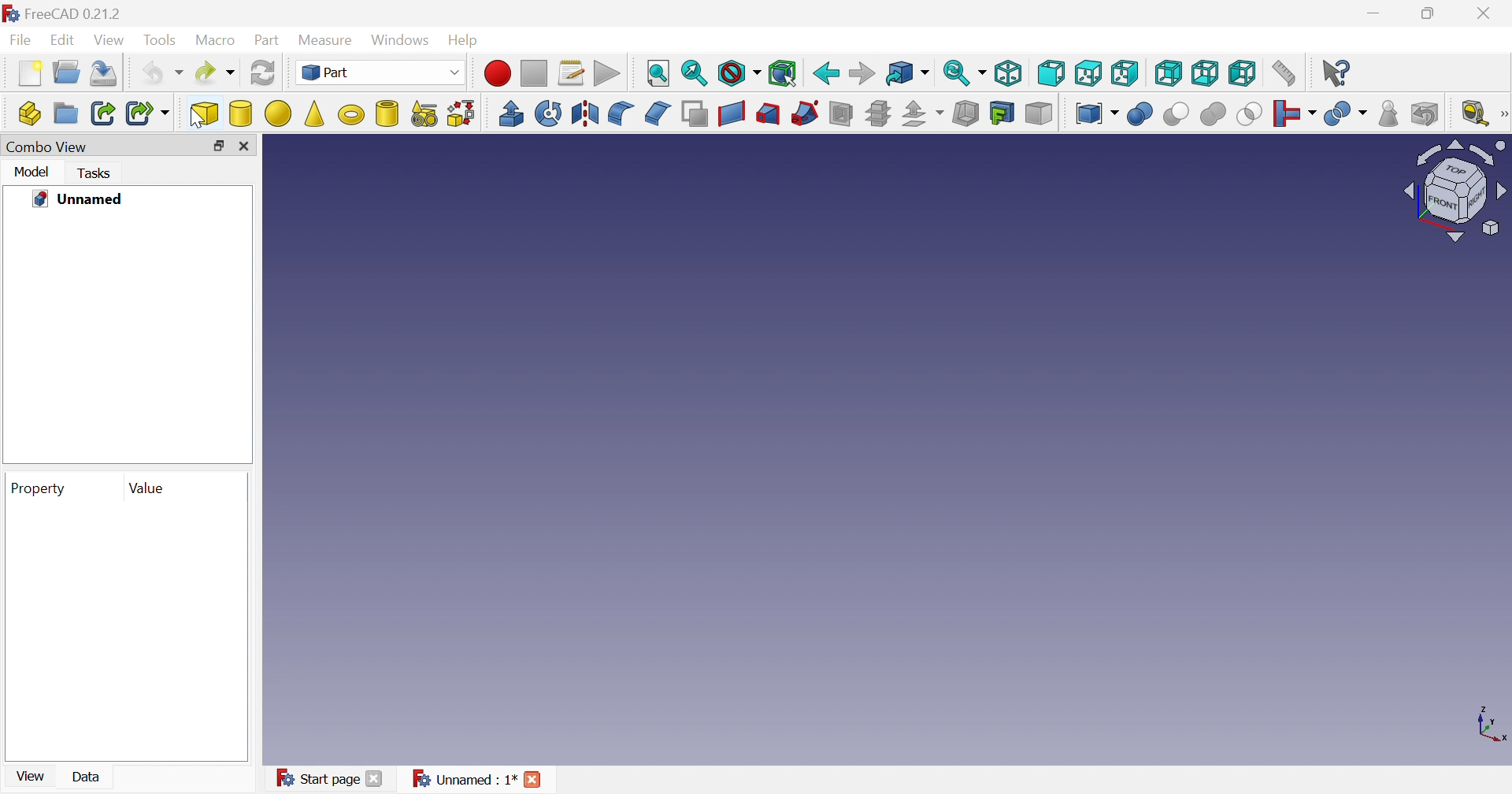 This screenshot has height=794, width=1512. Describe the element at coordinates (1087, 74) in the screenshot. I see `Top` at that location.